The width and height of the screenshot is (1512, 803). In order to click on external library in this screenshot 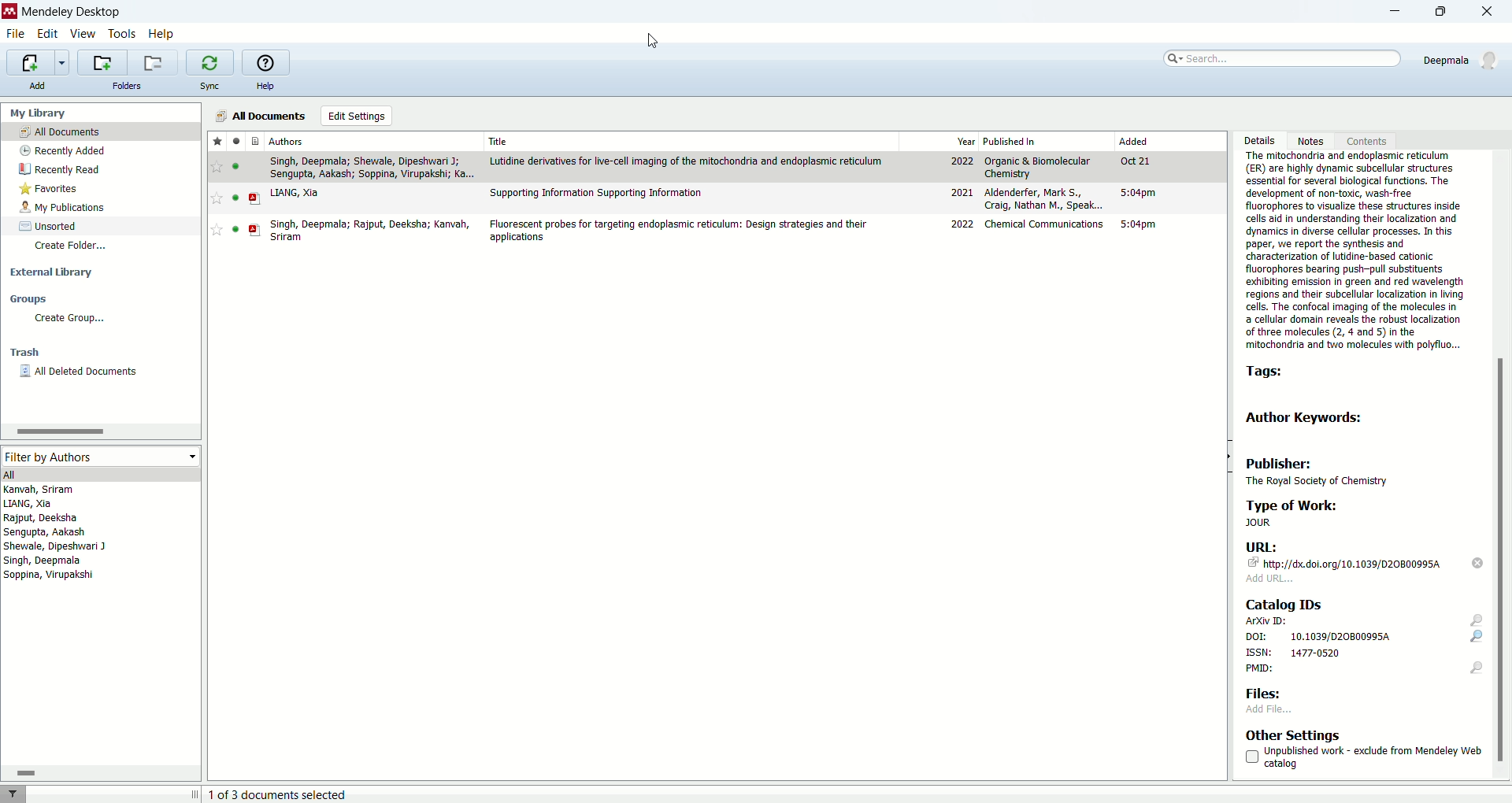, I will do `click(52, 272)`.